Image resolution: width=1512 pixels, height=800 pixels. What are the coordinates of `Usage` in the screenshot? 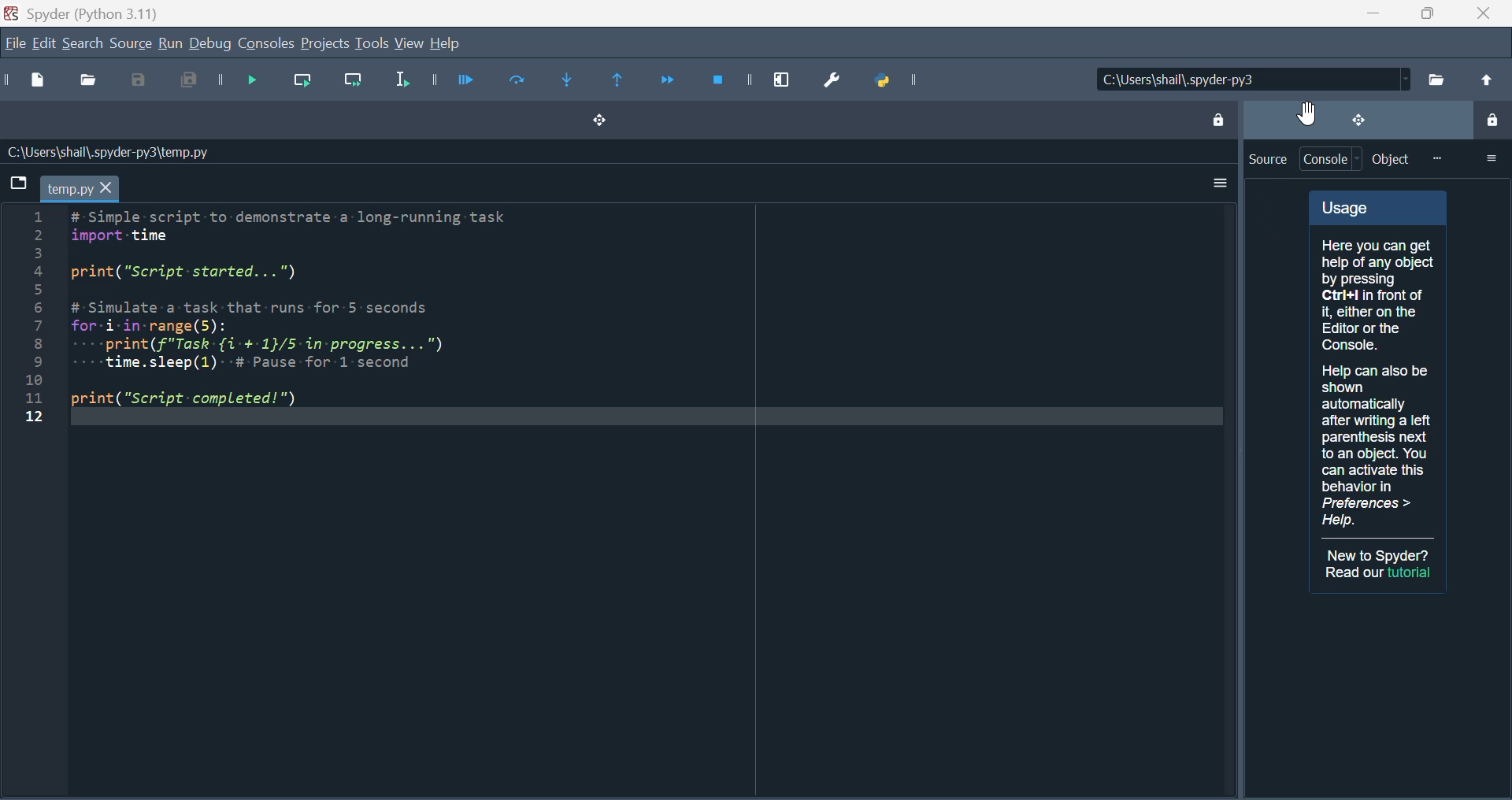 It's located at (1378, 364).